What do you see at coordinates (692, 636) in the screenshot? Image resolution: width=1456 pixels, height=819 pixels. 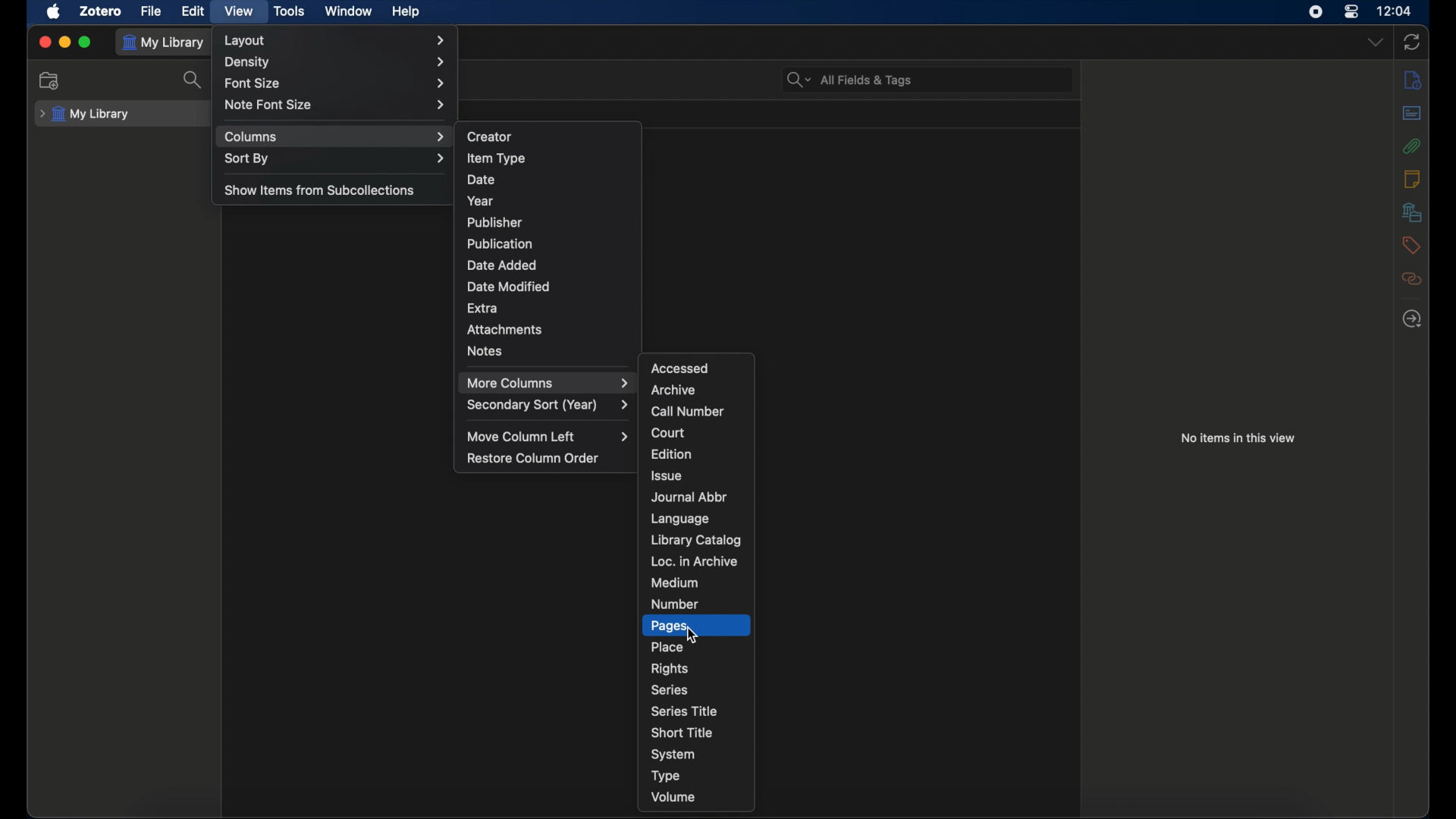 I see `cursor` at bounding box center [692, 636].